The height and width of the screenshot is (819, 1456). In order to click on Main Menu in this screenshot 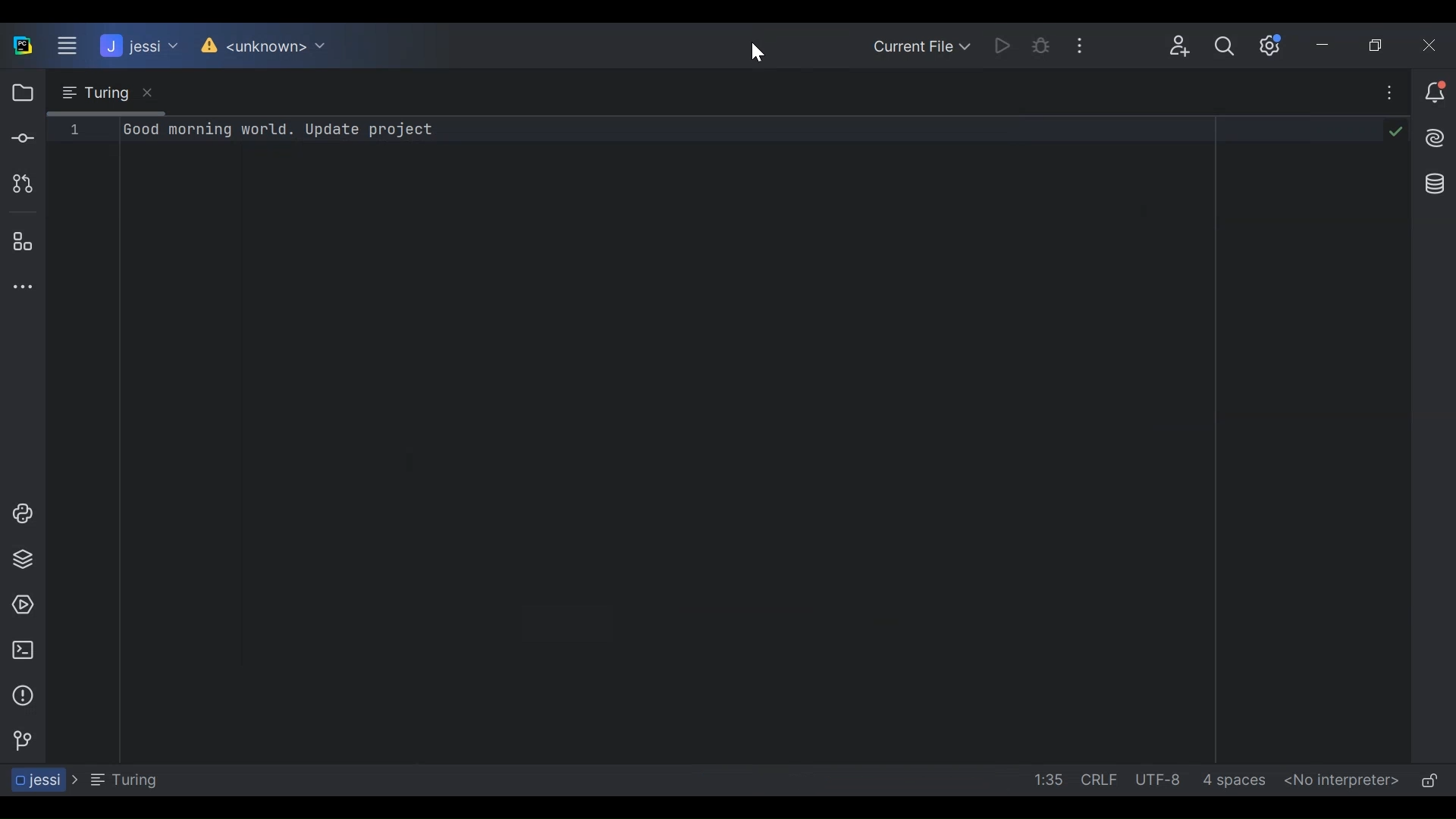, I will do `click(62, 46)`.